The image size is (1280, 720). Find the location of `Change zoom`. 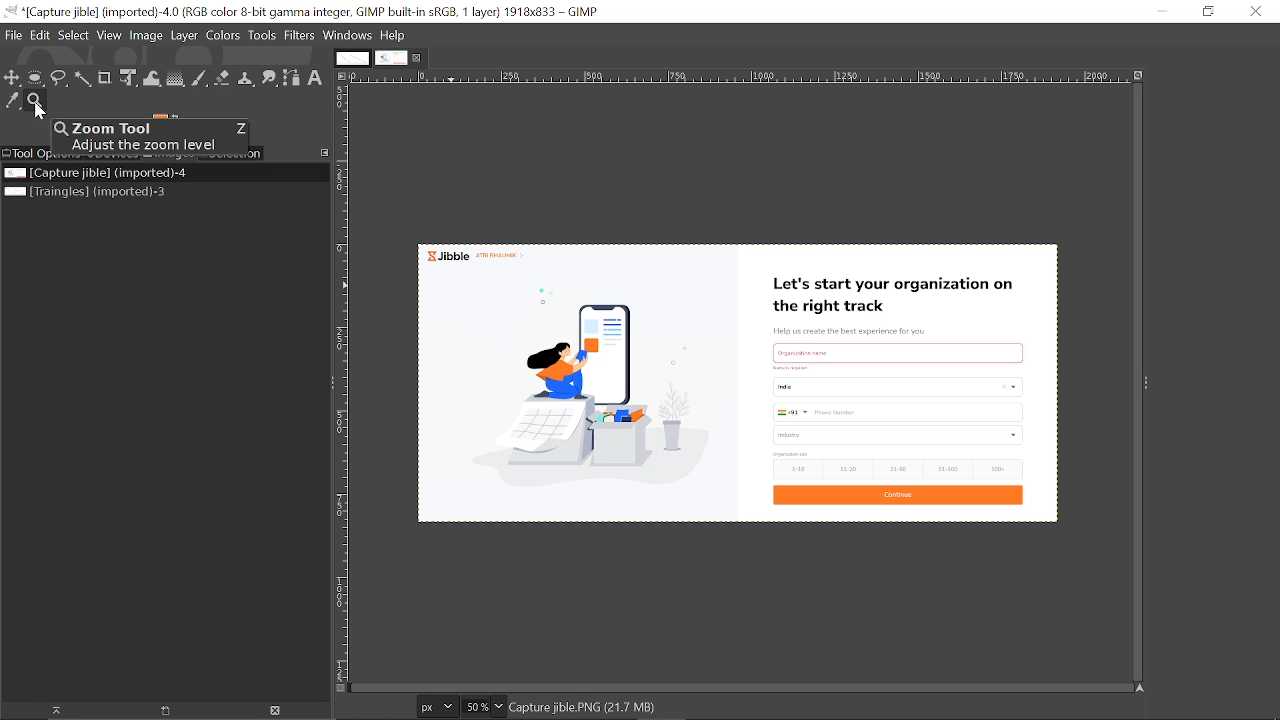

Change zoom is located at coordinates (499, 706).